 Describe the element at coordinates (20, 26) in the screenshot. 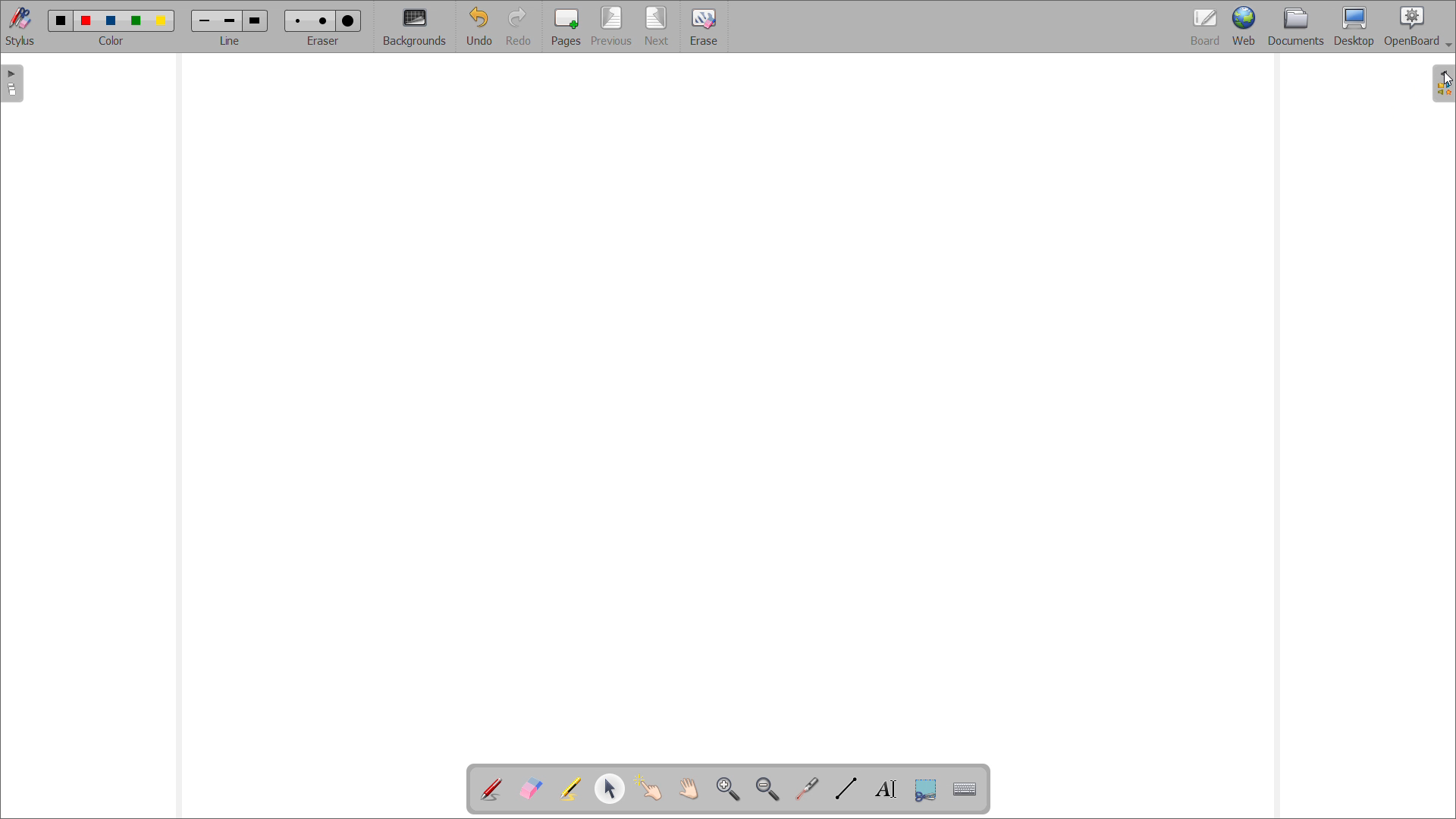

I see `toggle stylus` at that location.